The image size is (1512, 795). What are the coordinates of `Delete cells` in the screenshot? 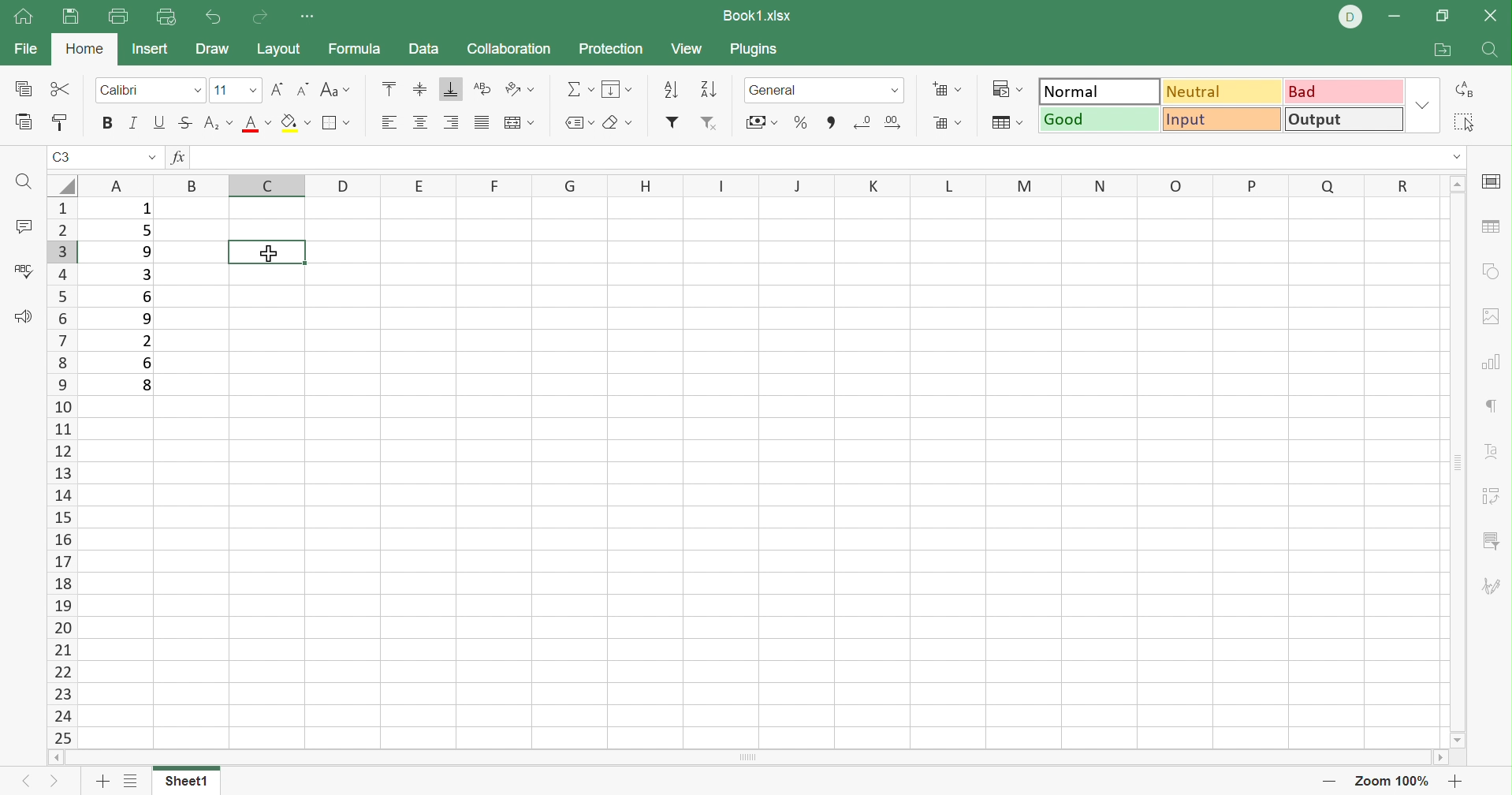 It's located at (948, 123).